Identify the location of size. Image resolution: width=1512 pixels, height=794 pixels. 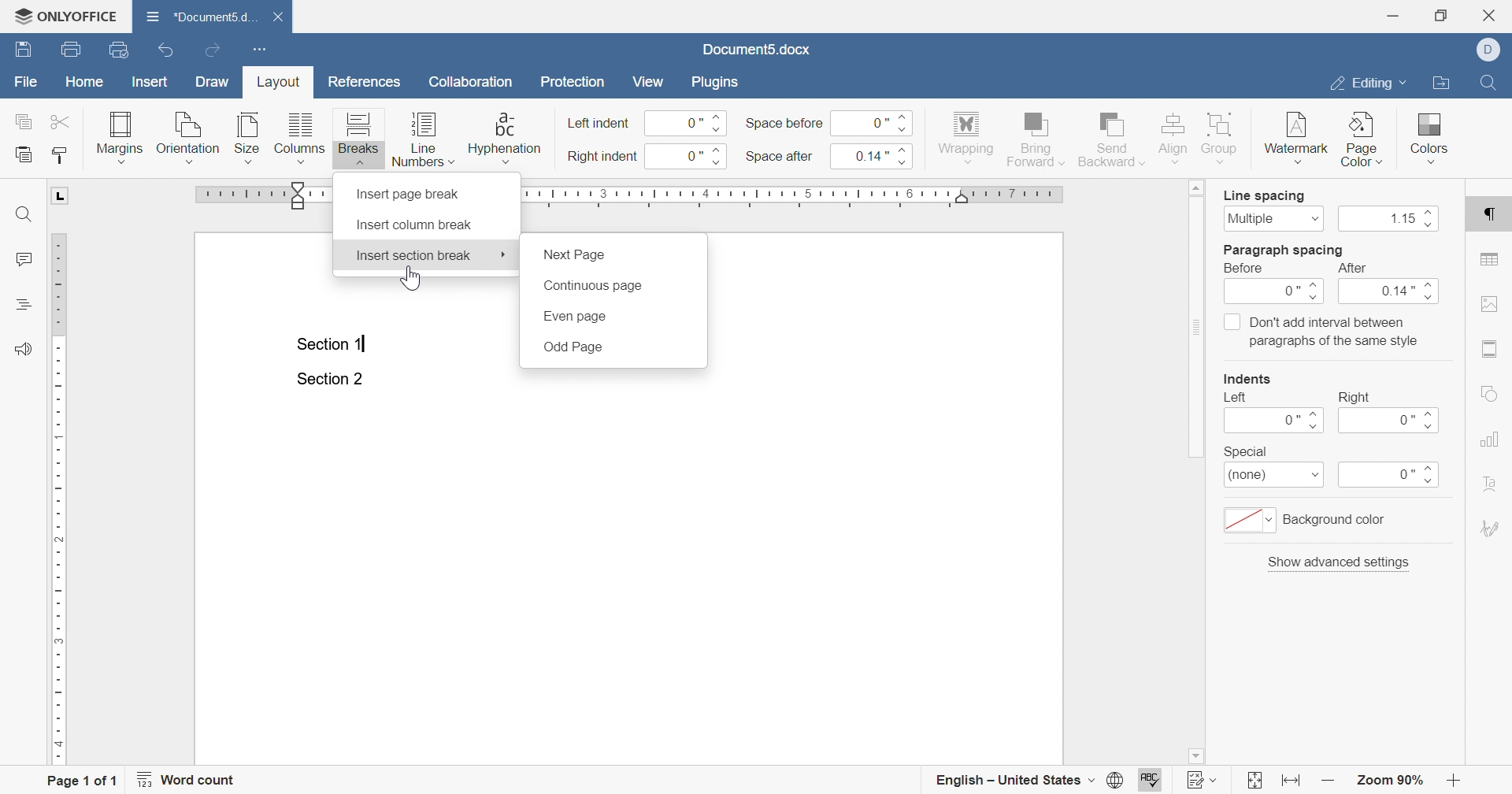
(246, 136).